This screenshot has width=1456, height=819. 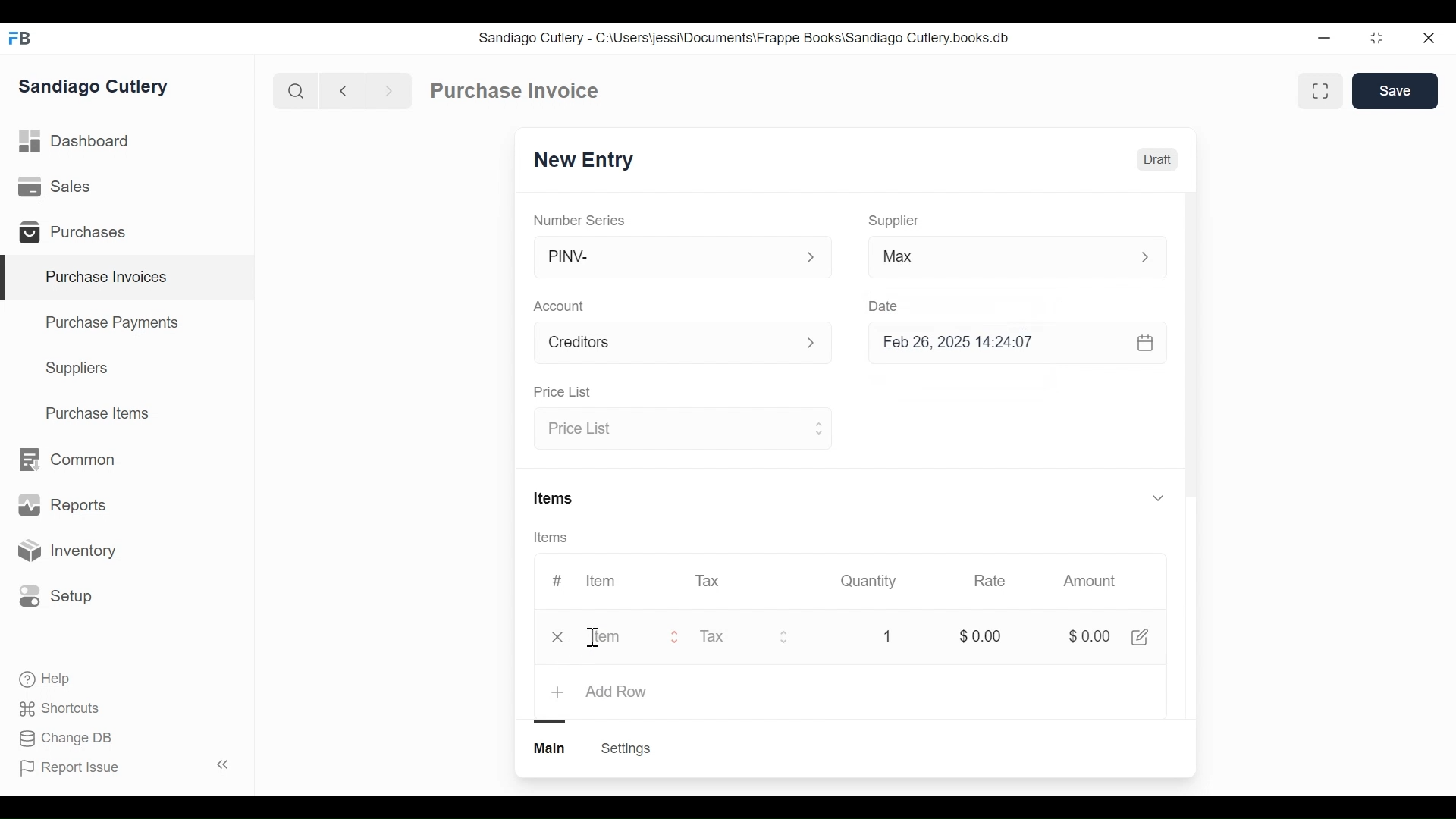 What do you see at coordinates (867, 580) in the screenshot?
I see `Quantity` at bounding box center [867, 580].